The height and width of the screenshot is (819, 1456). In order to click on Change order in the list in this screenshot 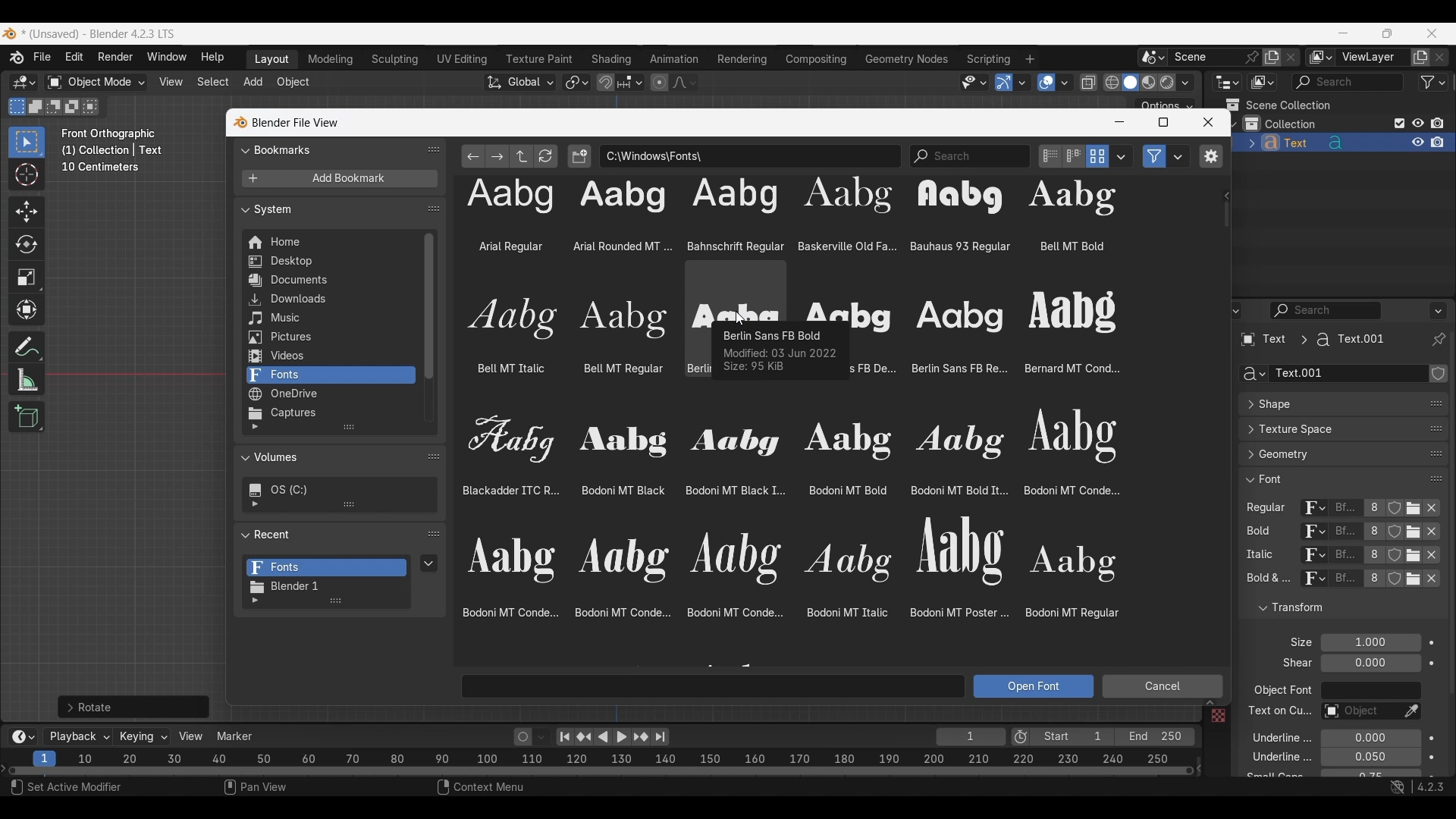, I will do `click(1438, 374)`.